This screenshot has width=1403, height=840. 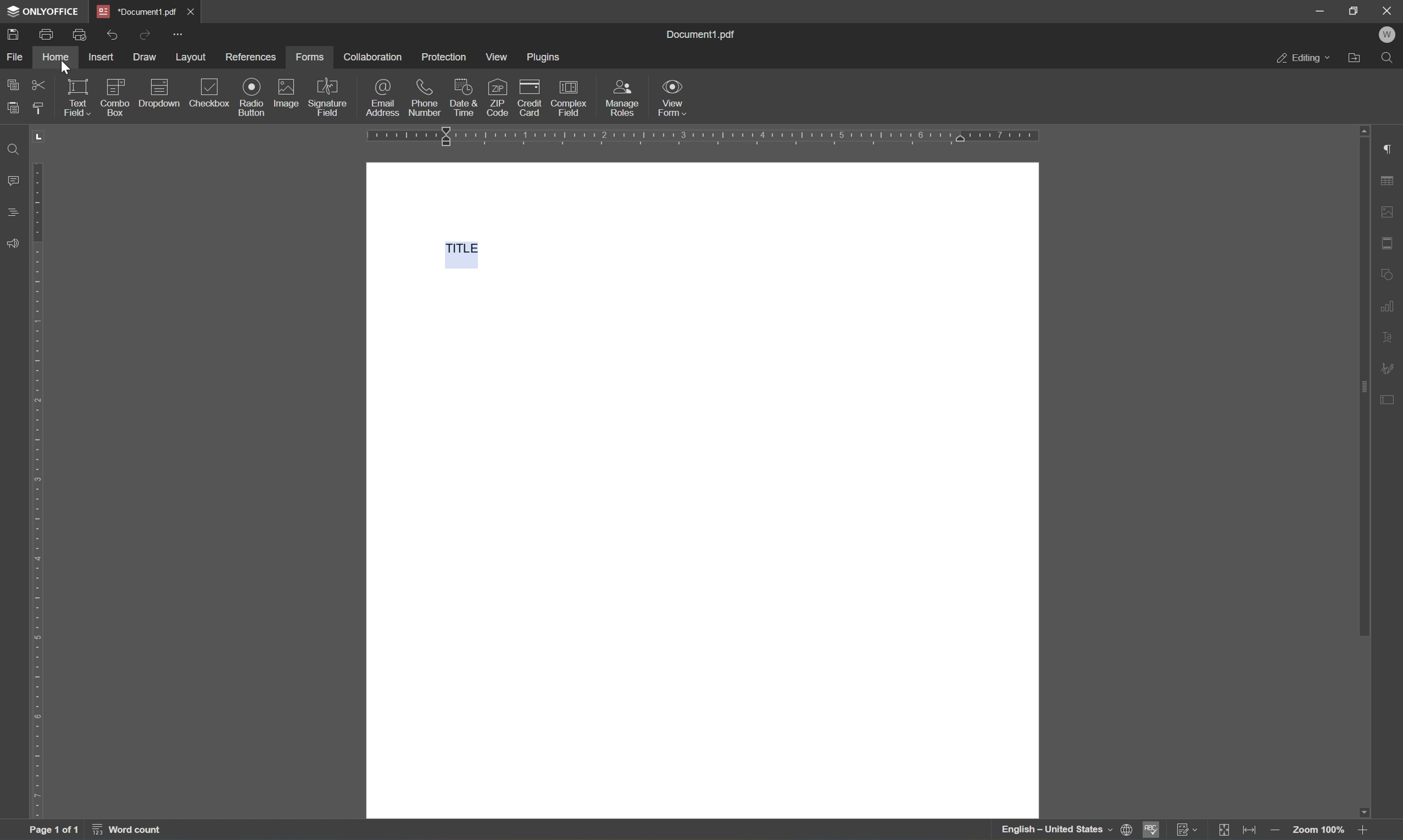 What do you see at coordinates (625, 100) in the screenshot?
I see `manage roles` at bounding box center [625, 100].